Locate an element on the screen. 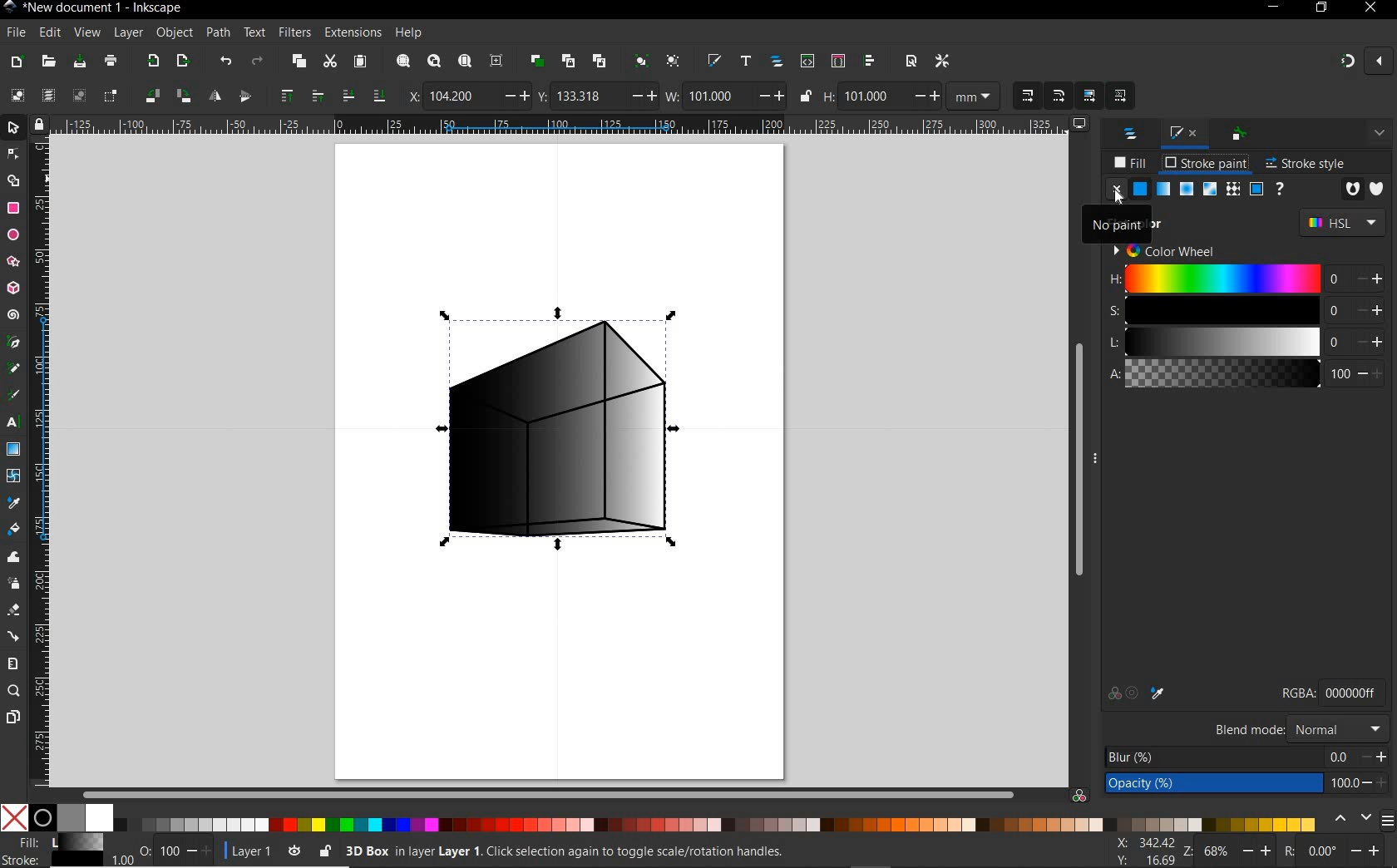 The image size is (1397, 868). node tool is located at coordinates (15, 155).